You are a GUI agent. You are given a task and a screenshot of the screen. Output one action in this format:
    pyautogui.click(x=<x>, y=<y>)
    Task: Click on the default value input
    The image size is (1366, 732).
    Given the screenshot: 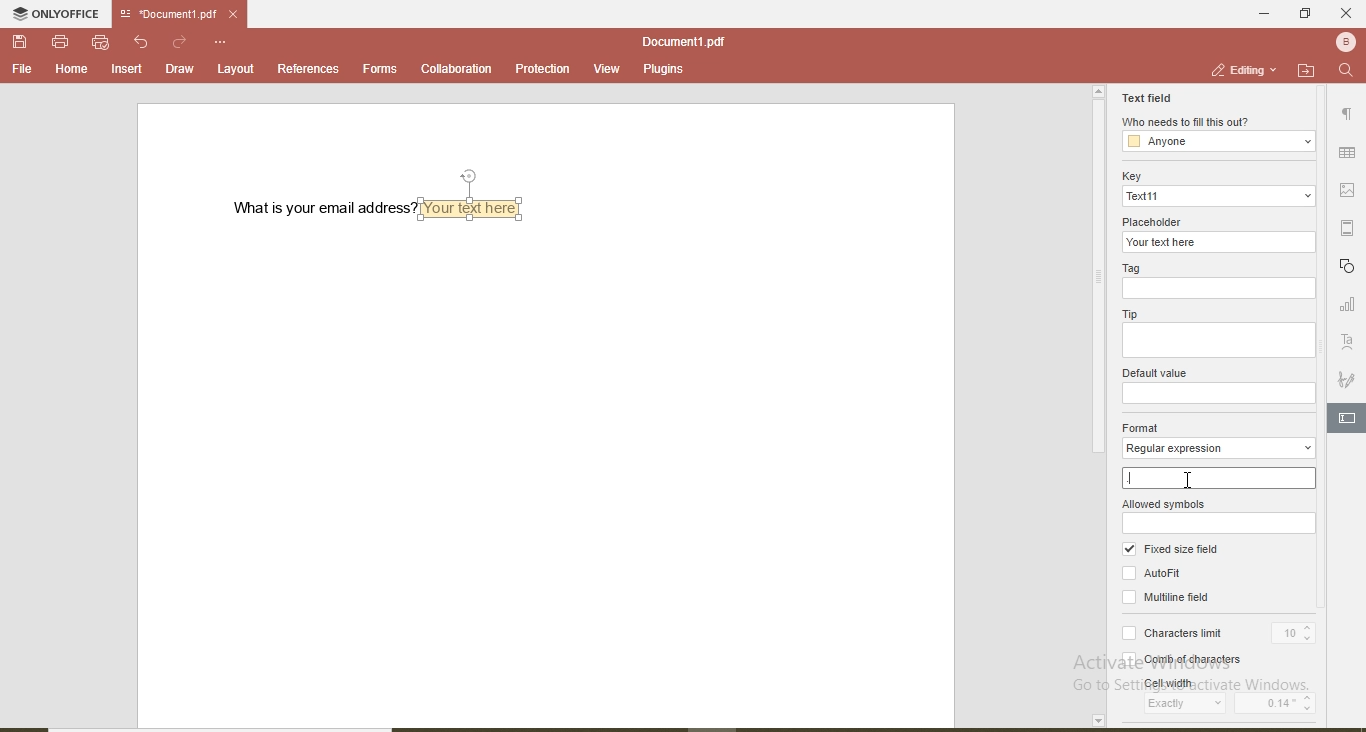 What is the action you would take?
    pyautogui.click(x=1220, y=394)
    